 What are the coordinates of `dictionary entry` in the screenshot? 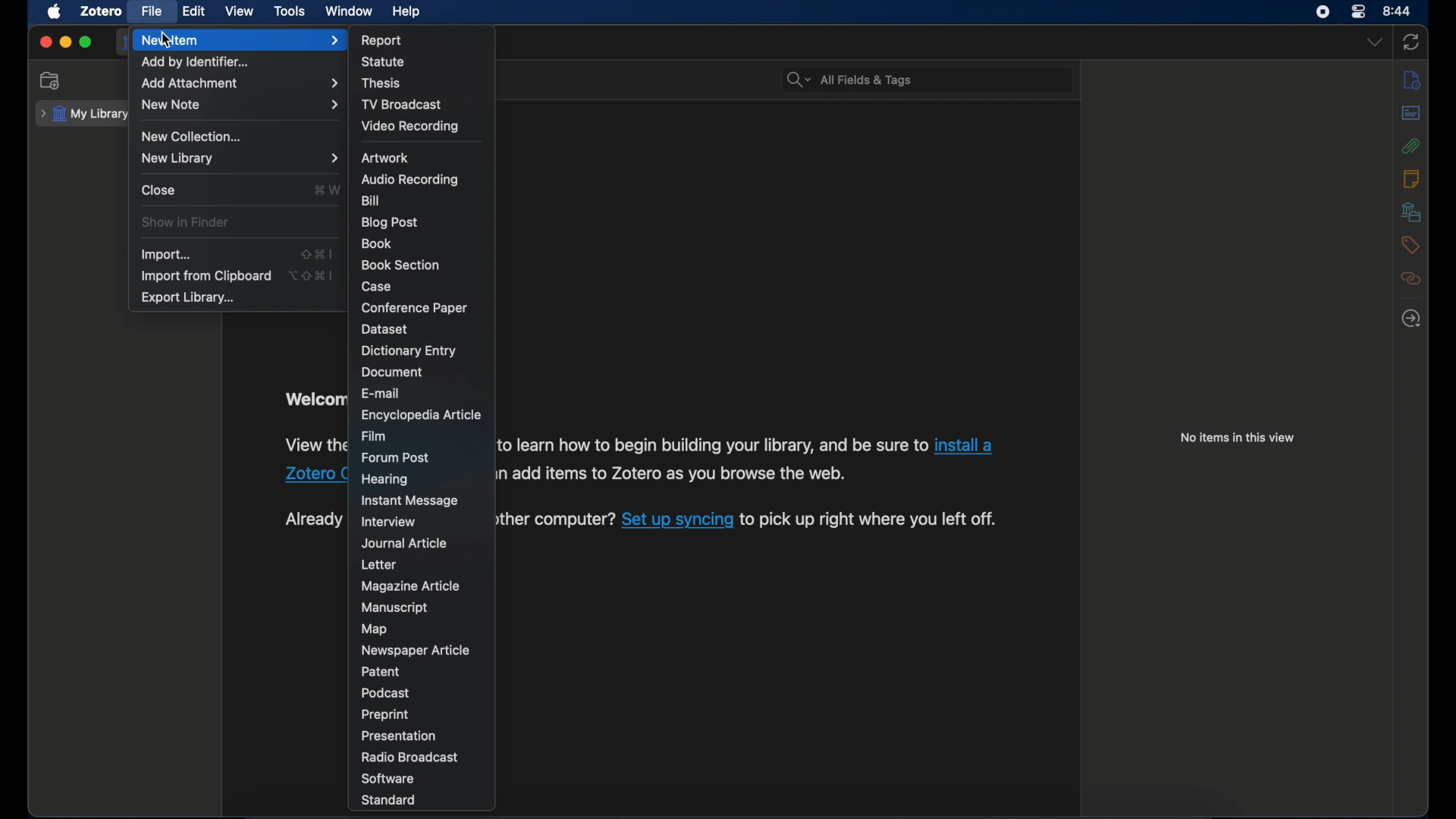 It's located at (409, 351).